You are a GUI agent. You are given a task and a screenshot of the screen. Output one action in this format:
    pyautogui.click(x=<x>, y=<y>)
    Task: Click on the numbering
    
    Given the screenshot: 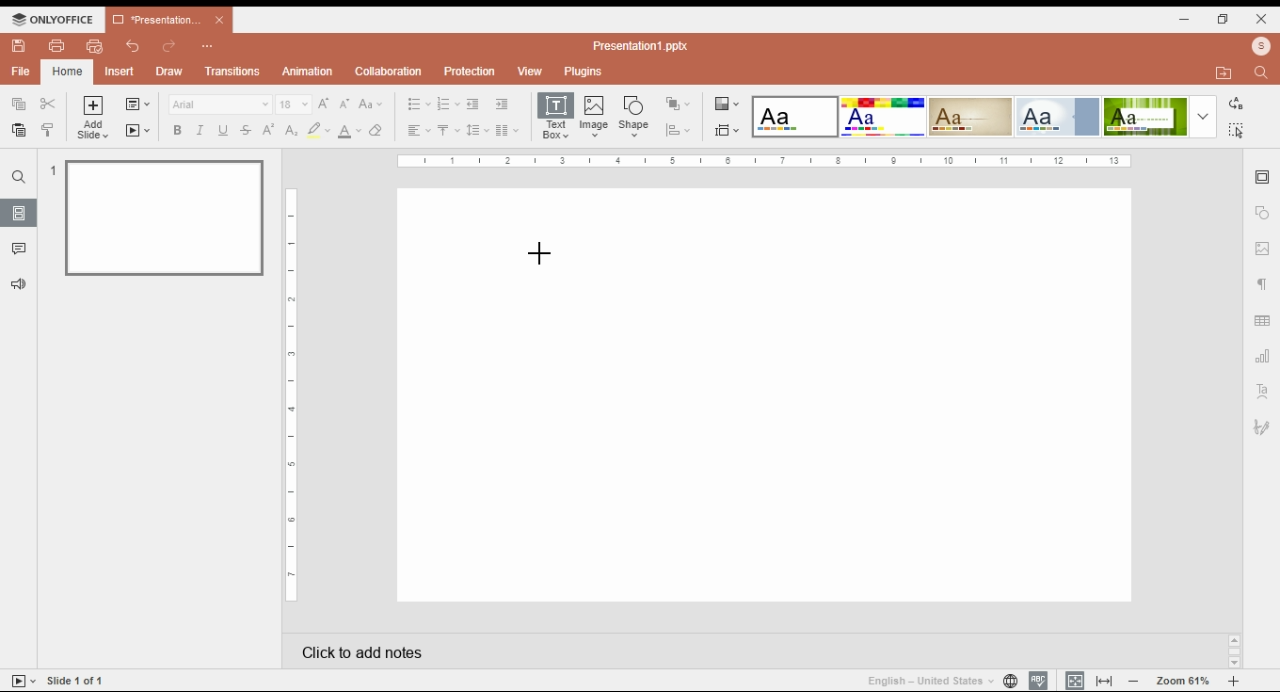 What is the action you would take?
    pyautogui.click(x=448, y=104)
    